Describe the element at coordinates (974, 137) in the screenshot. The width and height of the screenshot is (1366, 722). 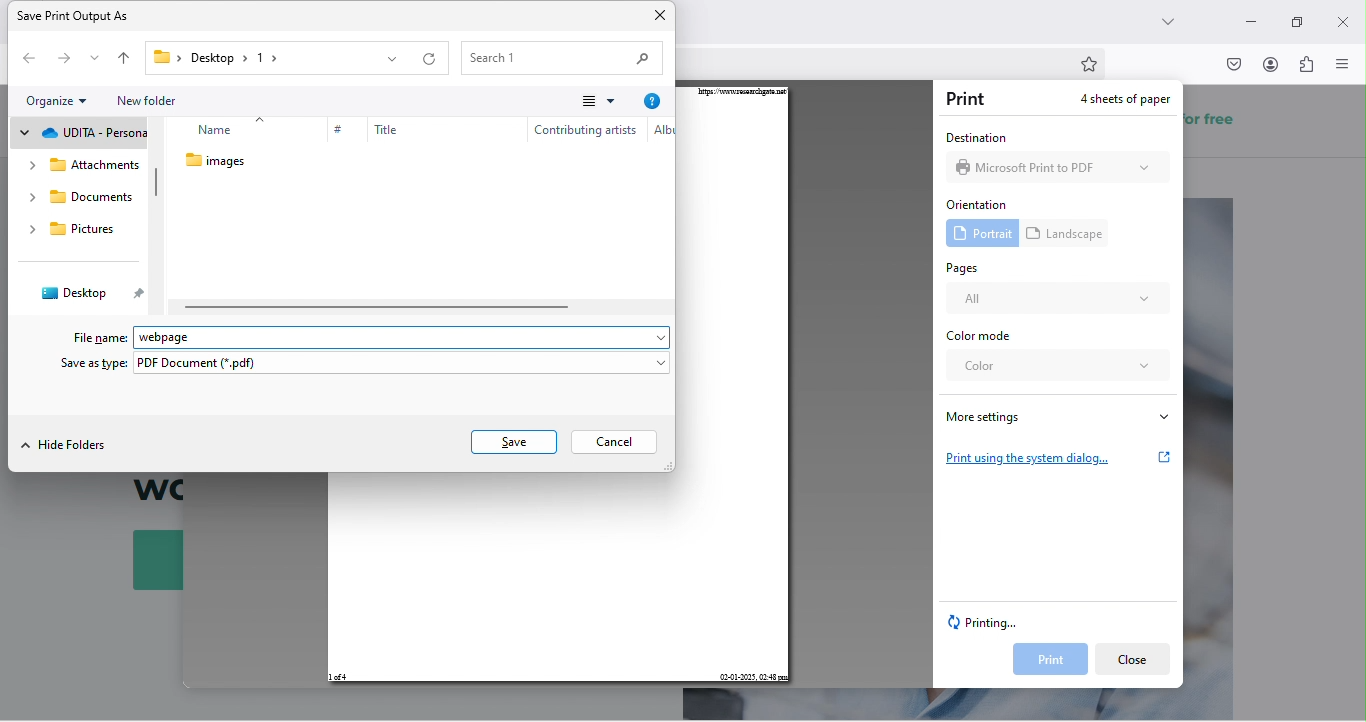
I see `destination` at that location.